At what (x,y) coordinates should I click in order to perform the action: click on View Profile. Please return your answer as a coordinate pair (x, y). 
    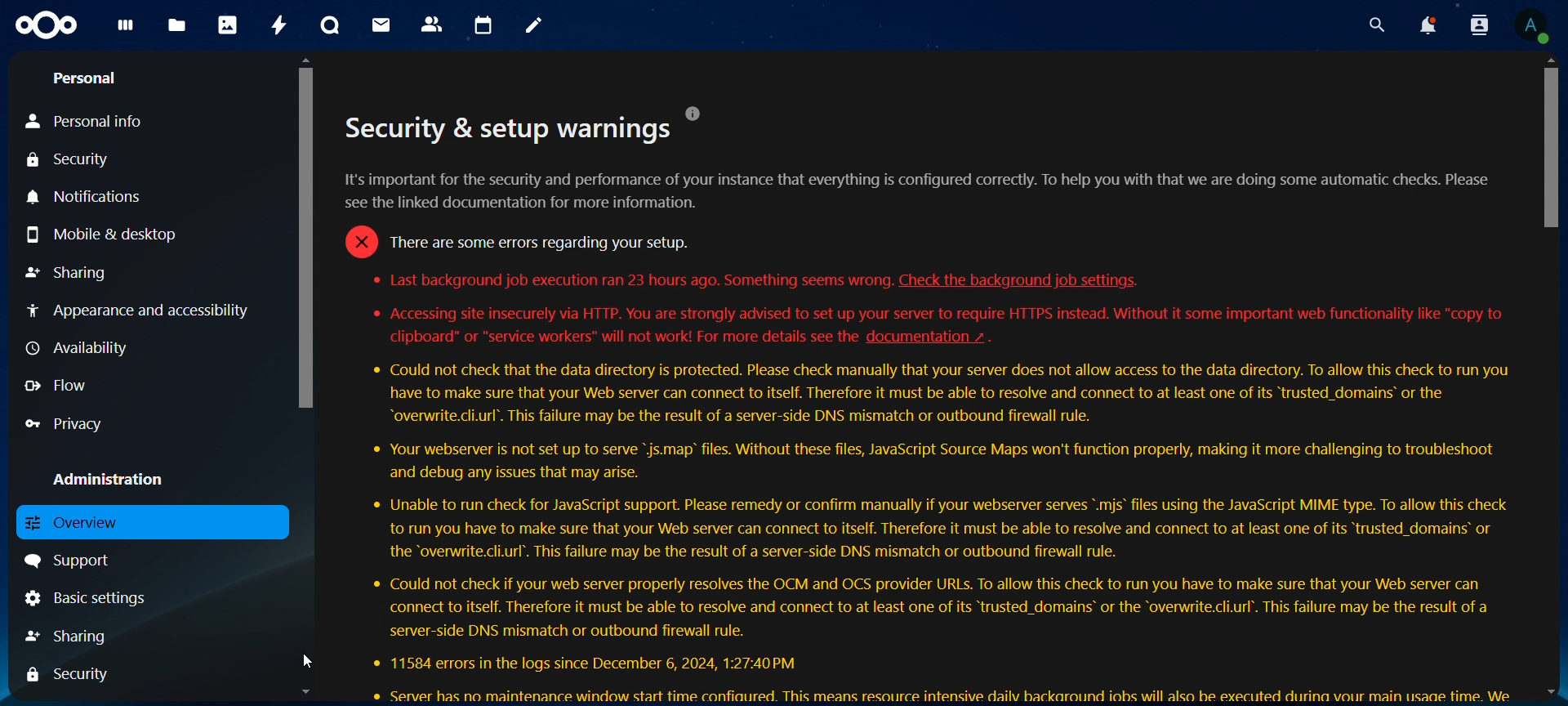
    Looking at the image, I should click on (1537, 26).